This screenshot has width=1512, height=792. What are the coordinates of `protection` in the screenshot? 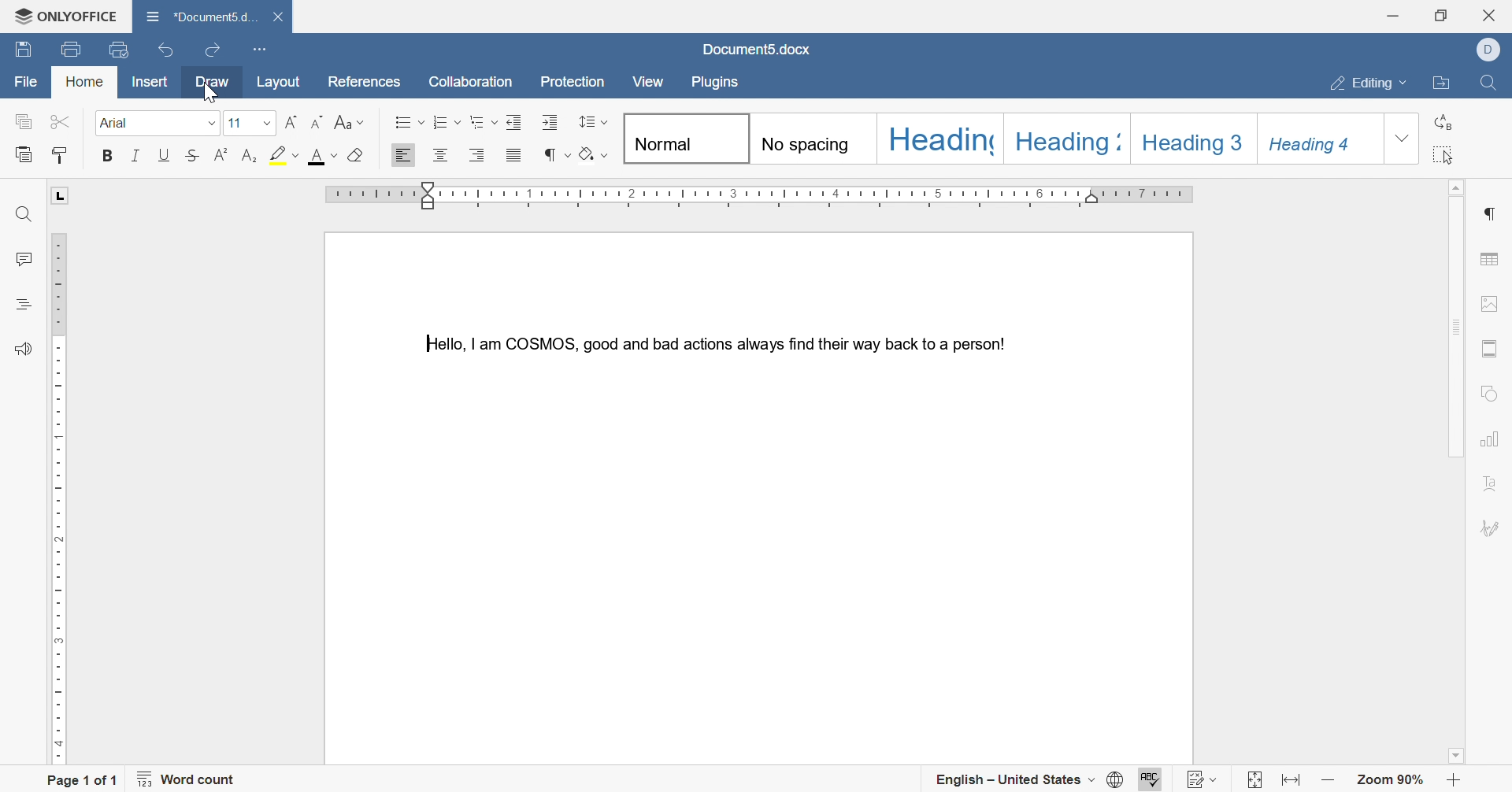 It's located at (576, 83).